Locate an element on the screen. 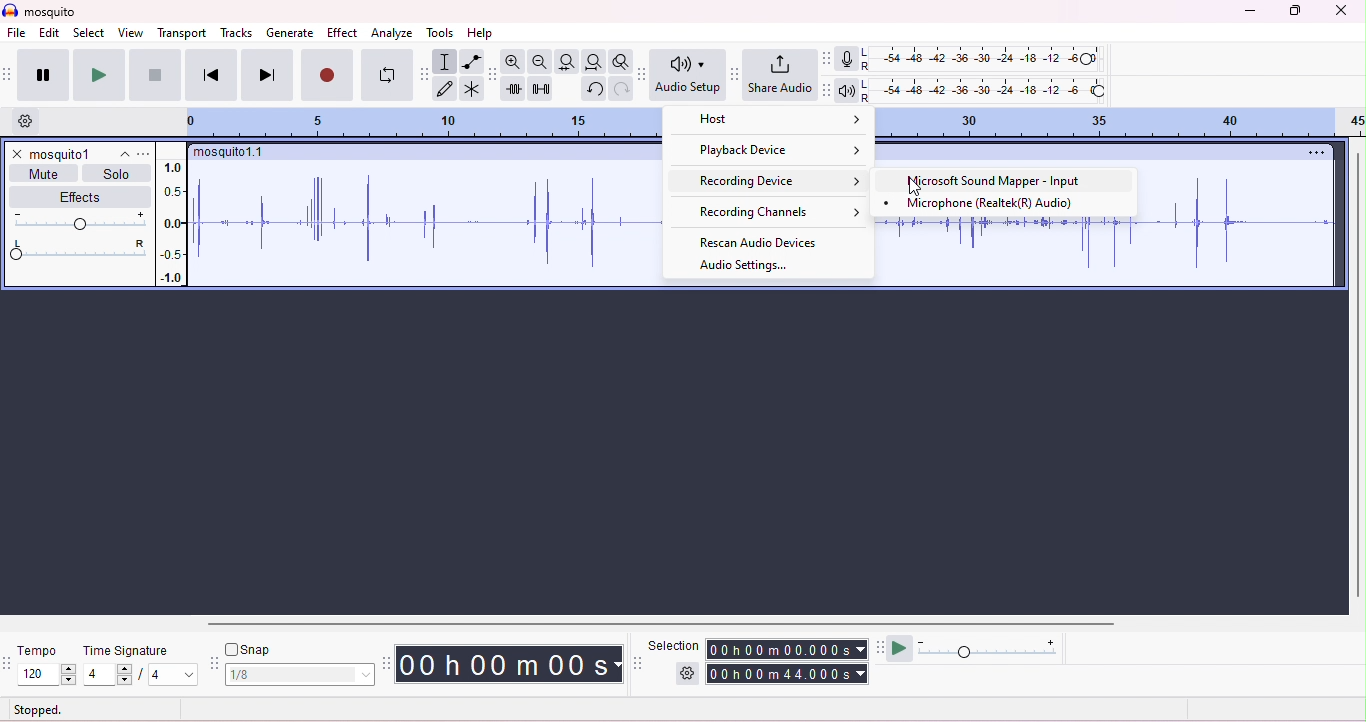 This screenshot has width=1366, height=722. trim outside selection is located at coordinates (515, 89).